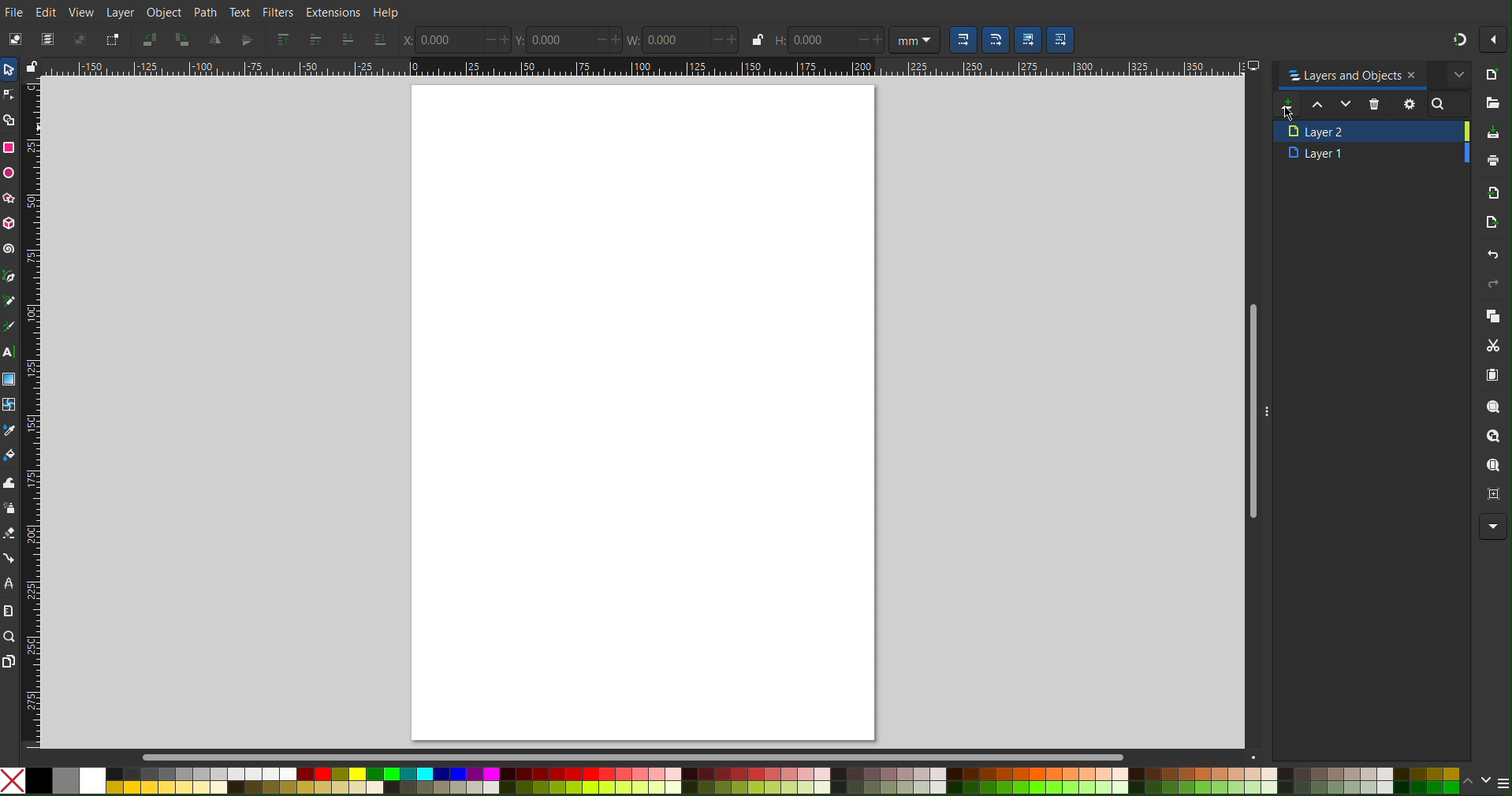 This screenshot has height=796, width=1512. What do you see at coordinates (11, 509) in the screenshot?
I see `Spray Tool` at bounding box center [11, 509].